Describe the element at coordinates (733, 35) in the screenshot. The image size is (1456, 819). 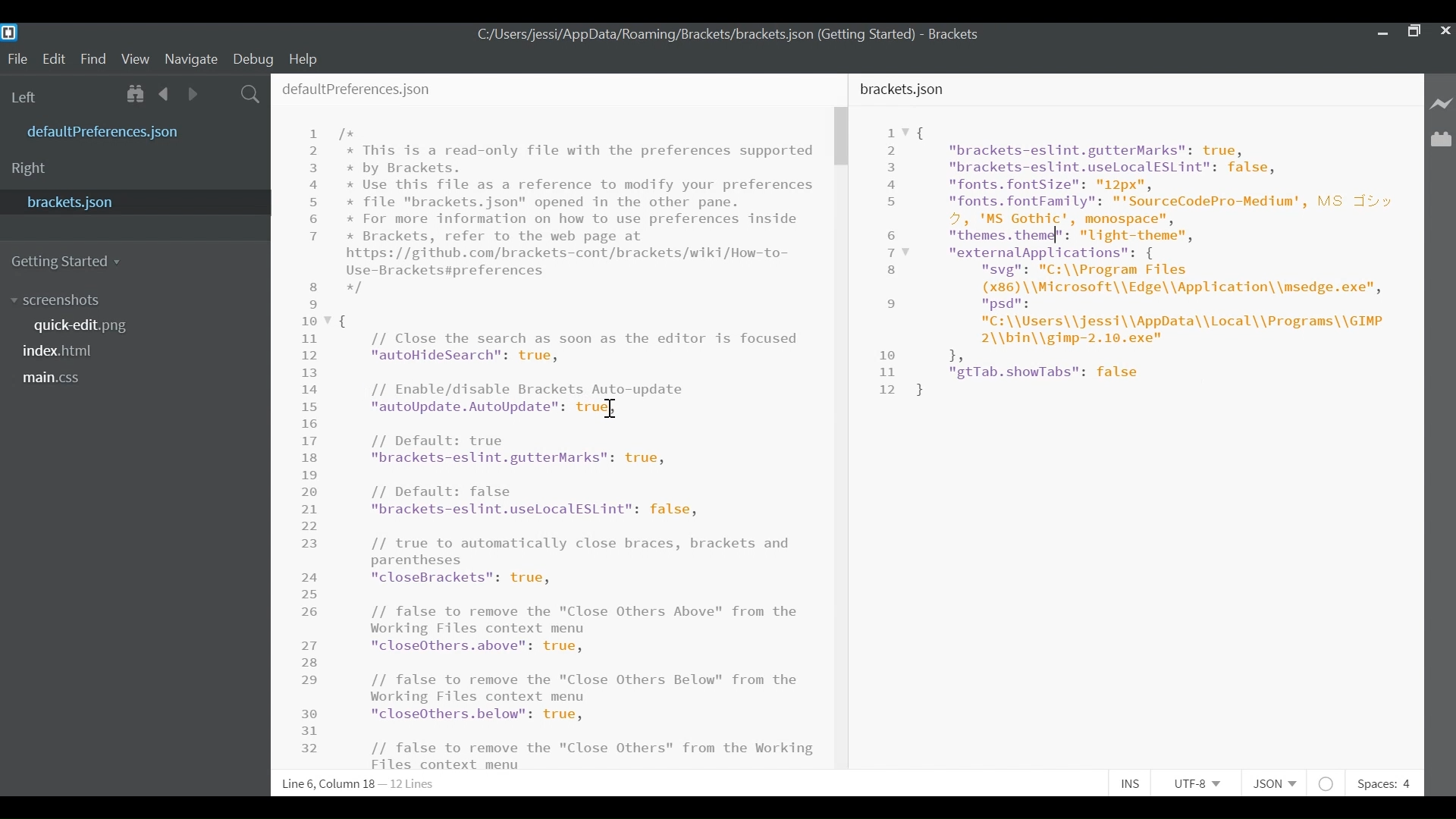
I see `bracket.json File Path- Brackets` at that location.